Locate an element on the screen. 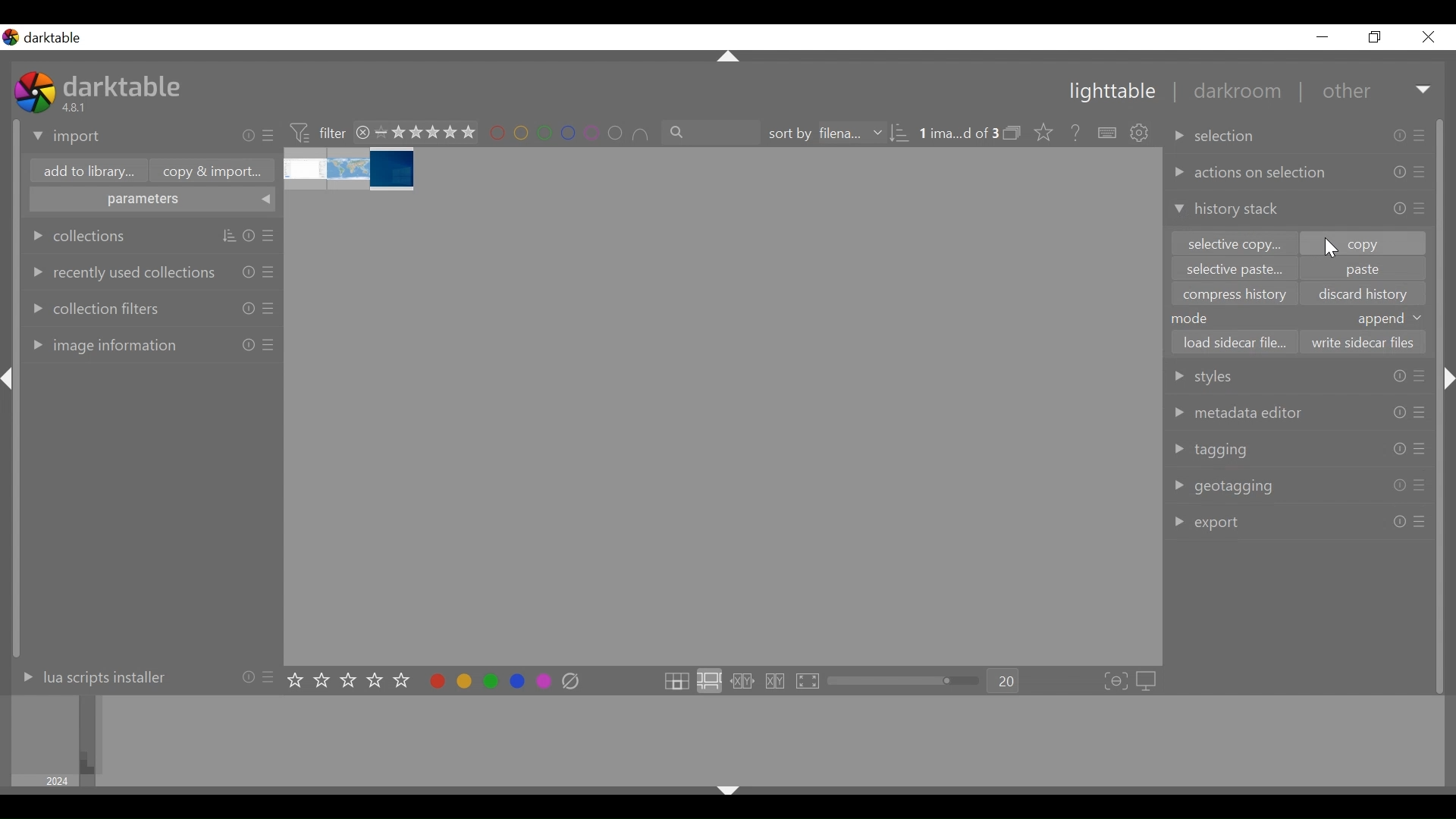  darkroom is located at coordinates (1231, 93).